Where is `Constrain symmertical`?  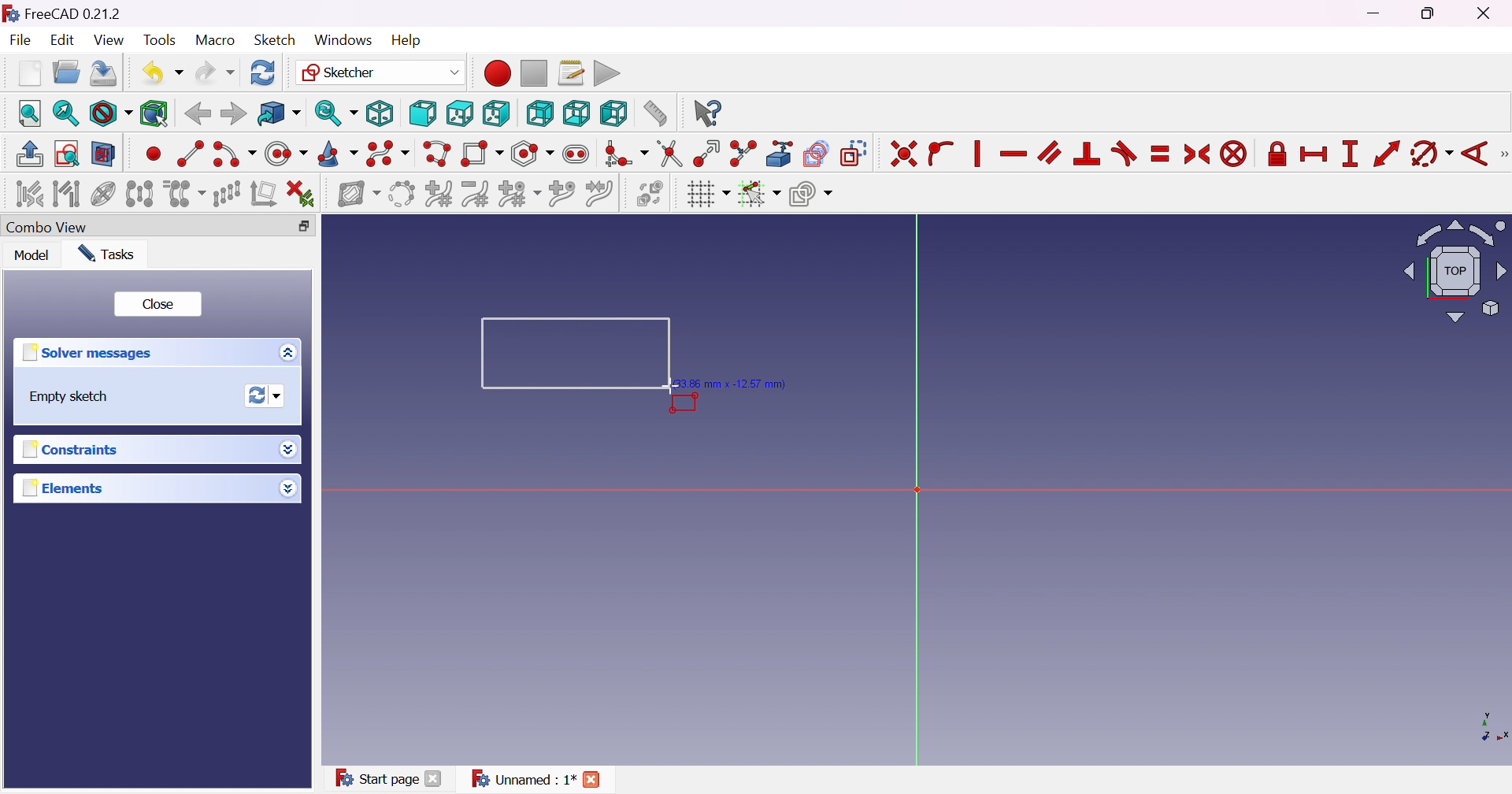
Constrain symmertical is located at coordinates (1198, 154).